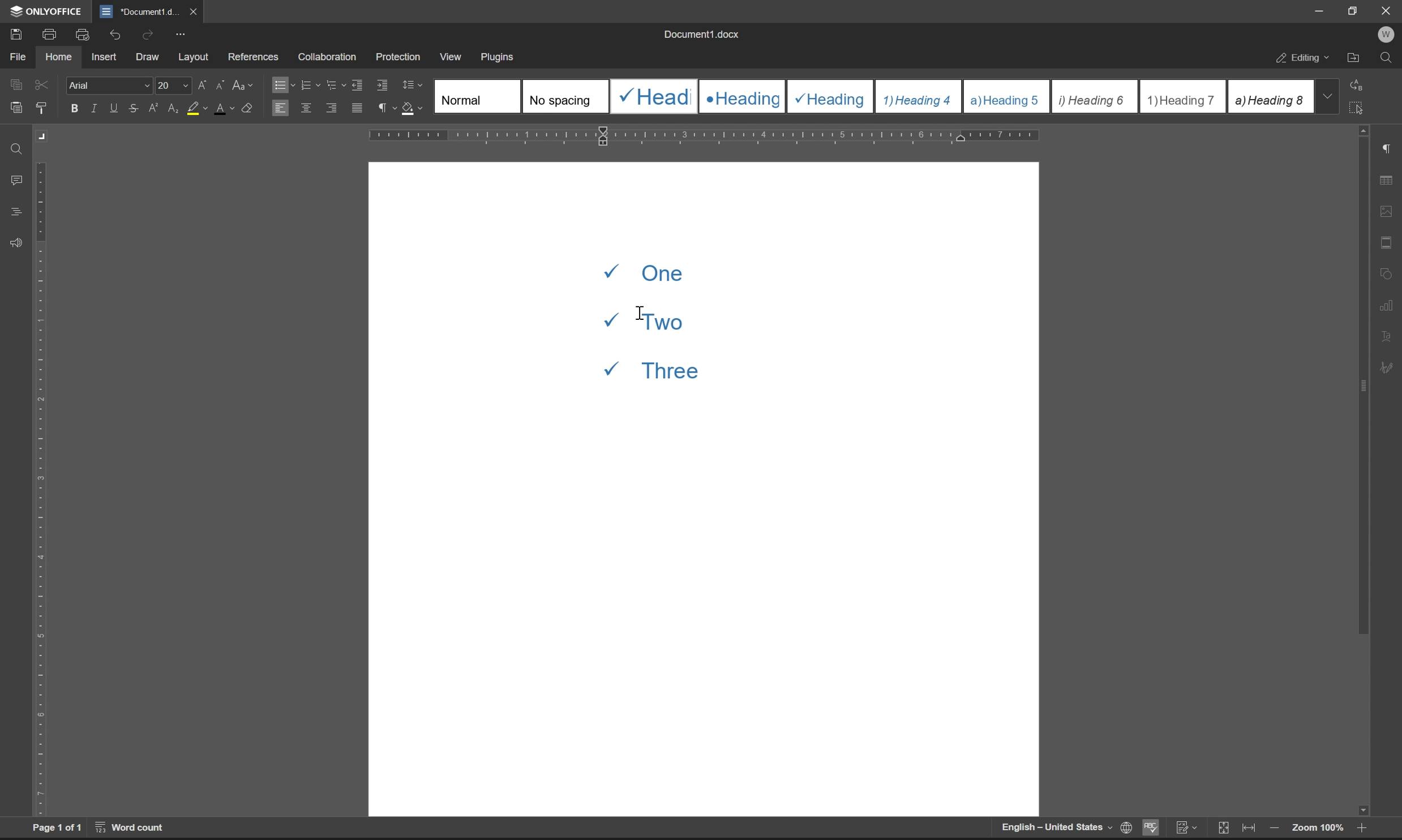 The width and height of the screenshot is (1402, 840). I want to click on file, so click(17, 57).